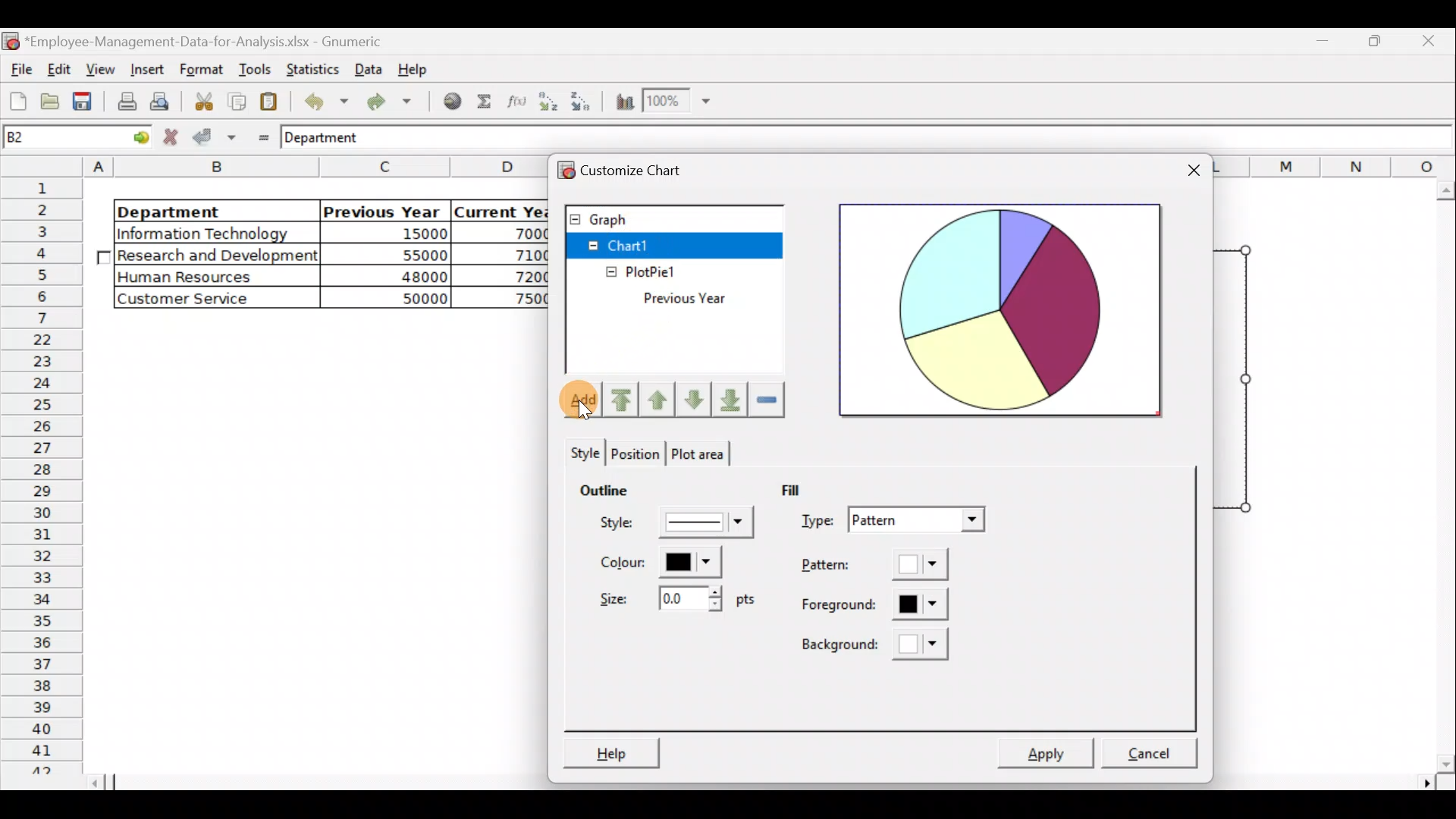  What do you see at coordinates (196, 278) in the screenshot?
I see `Human Resources` at bounding box center [196, 278].